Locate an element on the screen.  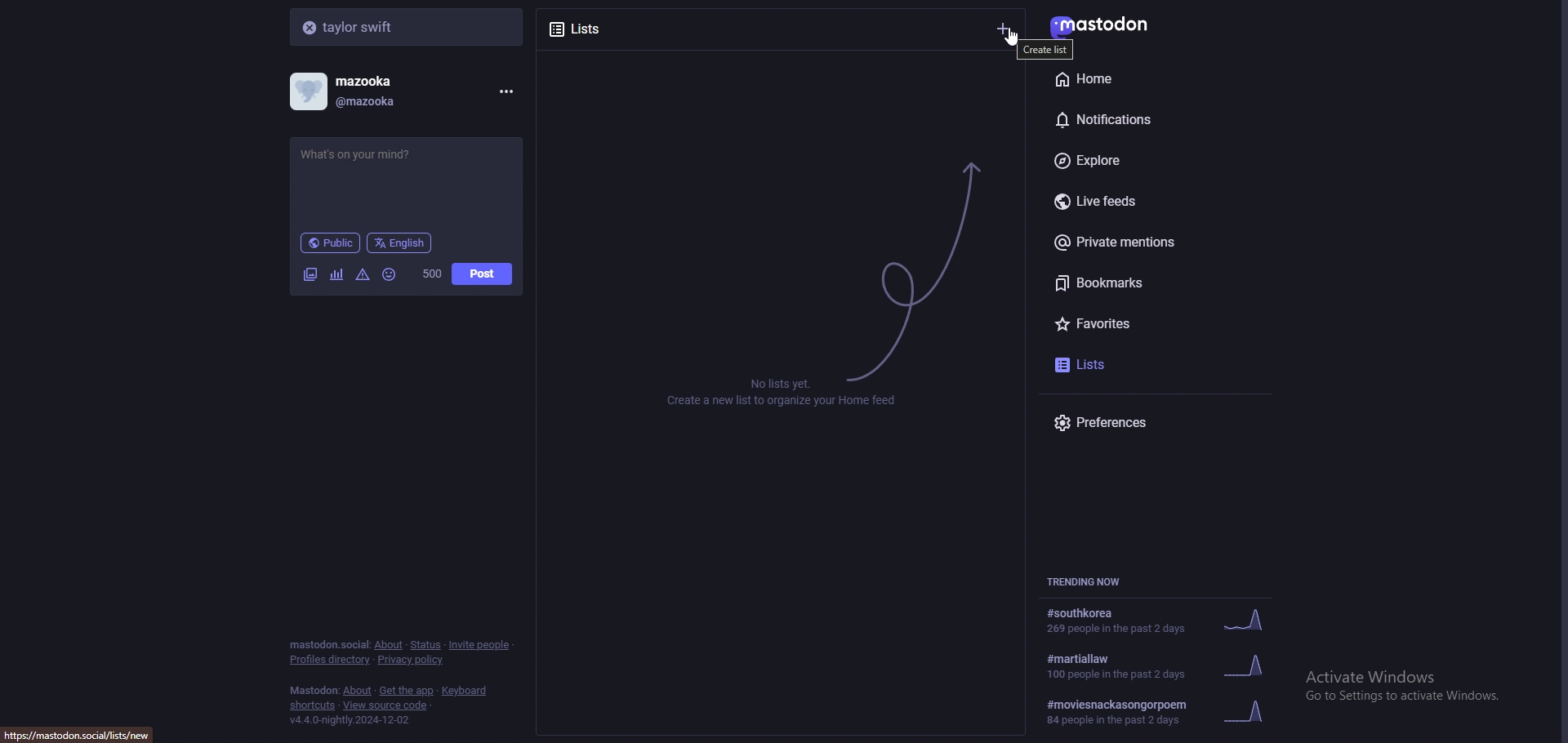
privacy policy is located at coordinates (412, 661).